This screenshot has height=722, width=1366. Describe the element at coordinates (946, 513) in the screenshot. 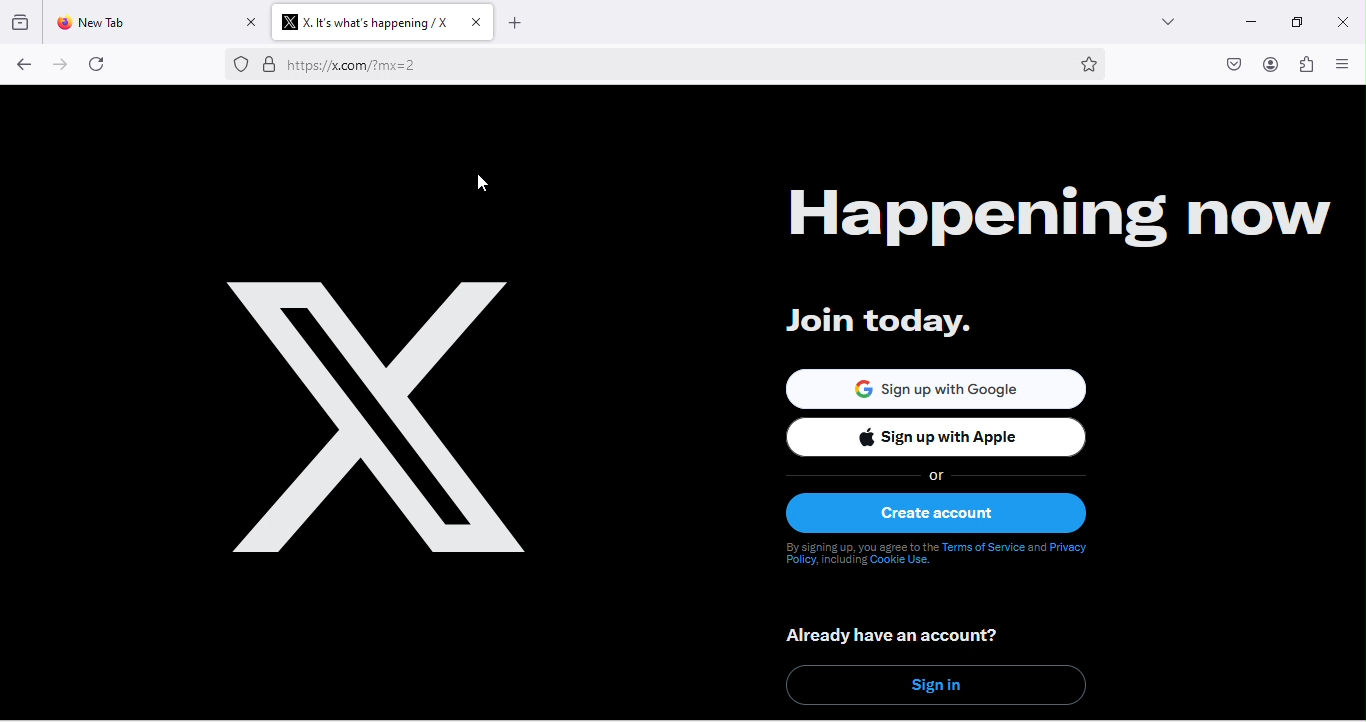

I see `create account` at that location.